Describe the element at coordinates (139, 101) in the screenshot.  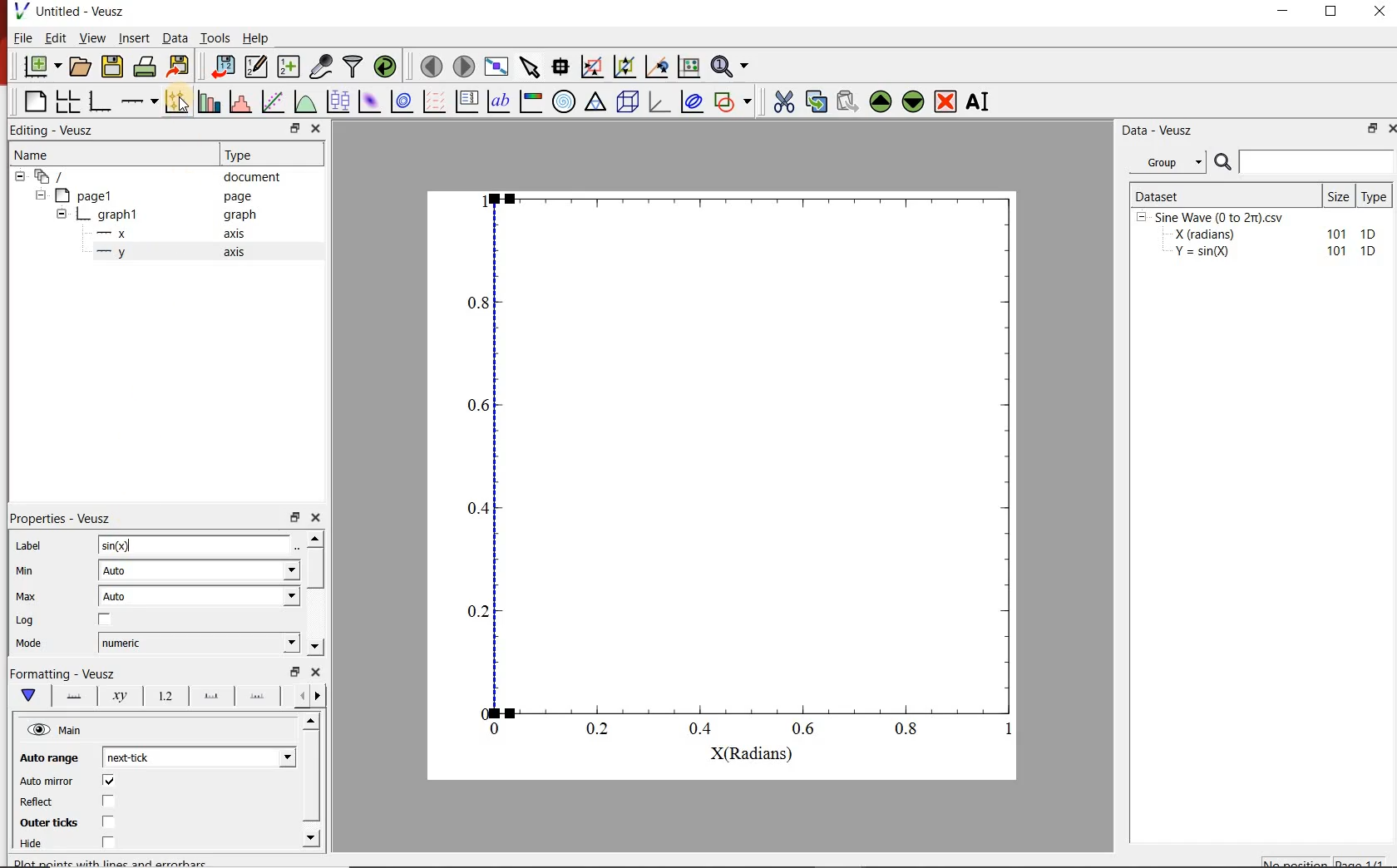
I see `add an axis` at that location.